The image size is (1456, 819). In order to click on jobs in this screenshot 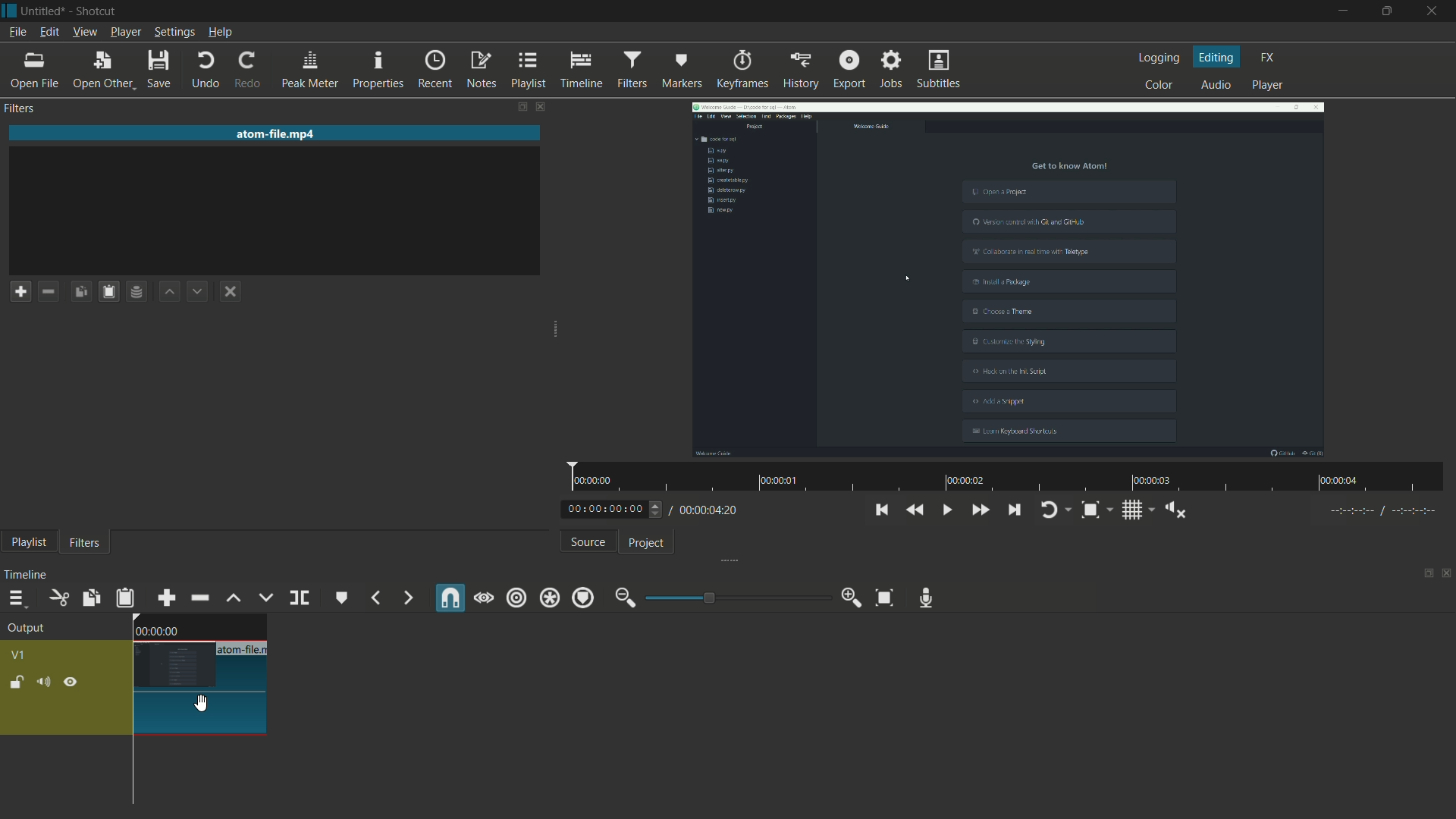, I will do `click(891, 71)`.